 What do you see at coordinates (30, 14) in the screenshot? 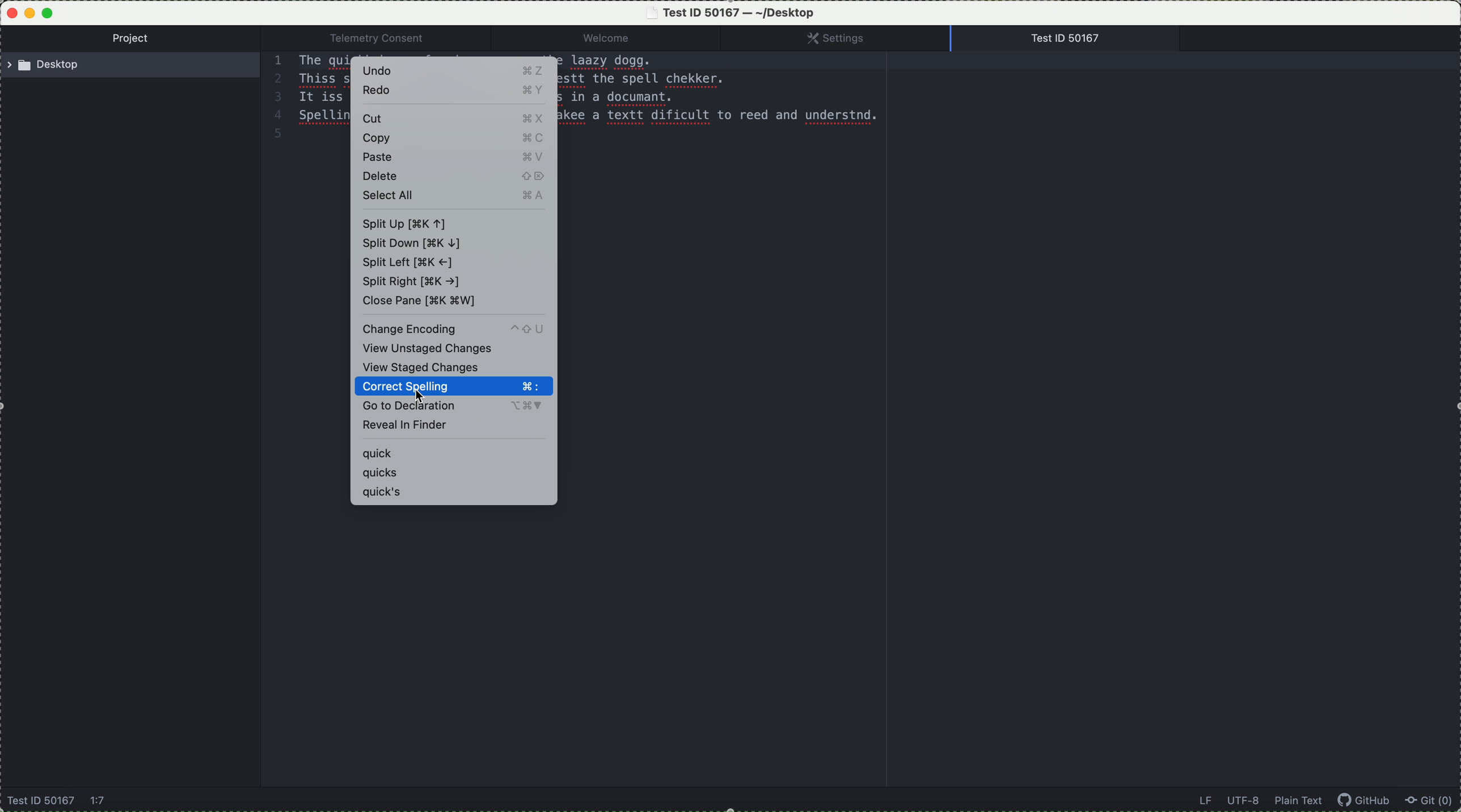
I see `minimize program` at bounding box center [30, 14].